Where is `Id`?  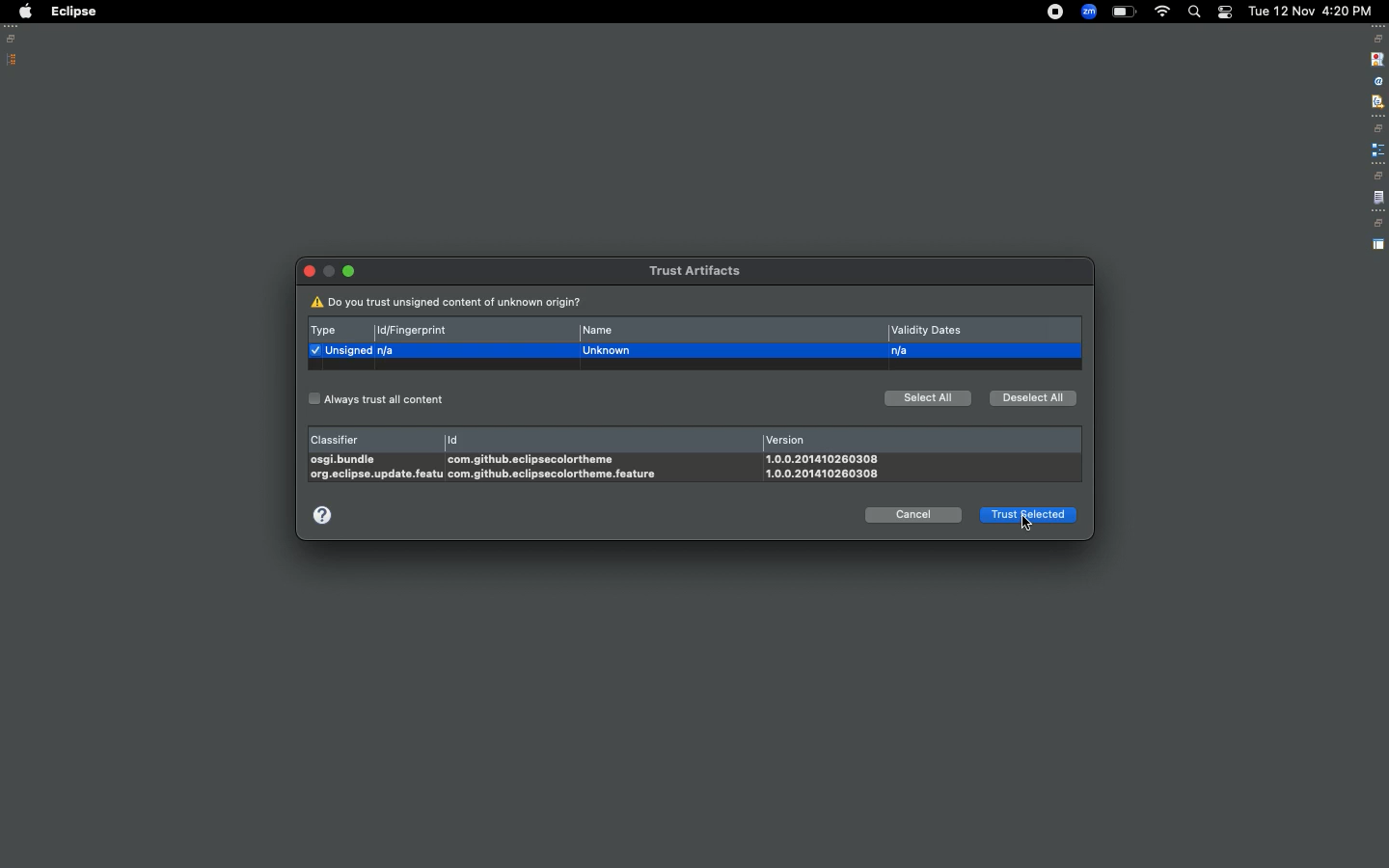 Id is located at coordinates (554, 455).